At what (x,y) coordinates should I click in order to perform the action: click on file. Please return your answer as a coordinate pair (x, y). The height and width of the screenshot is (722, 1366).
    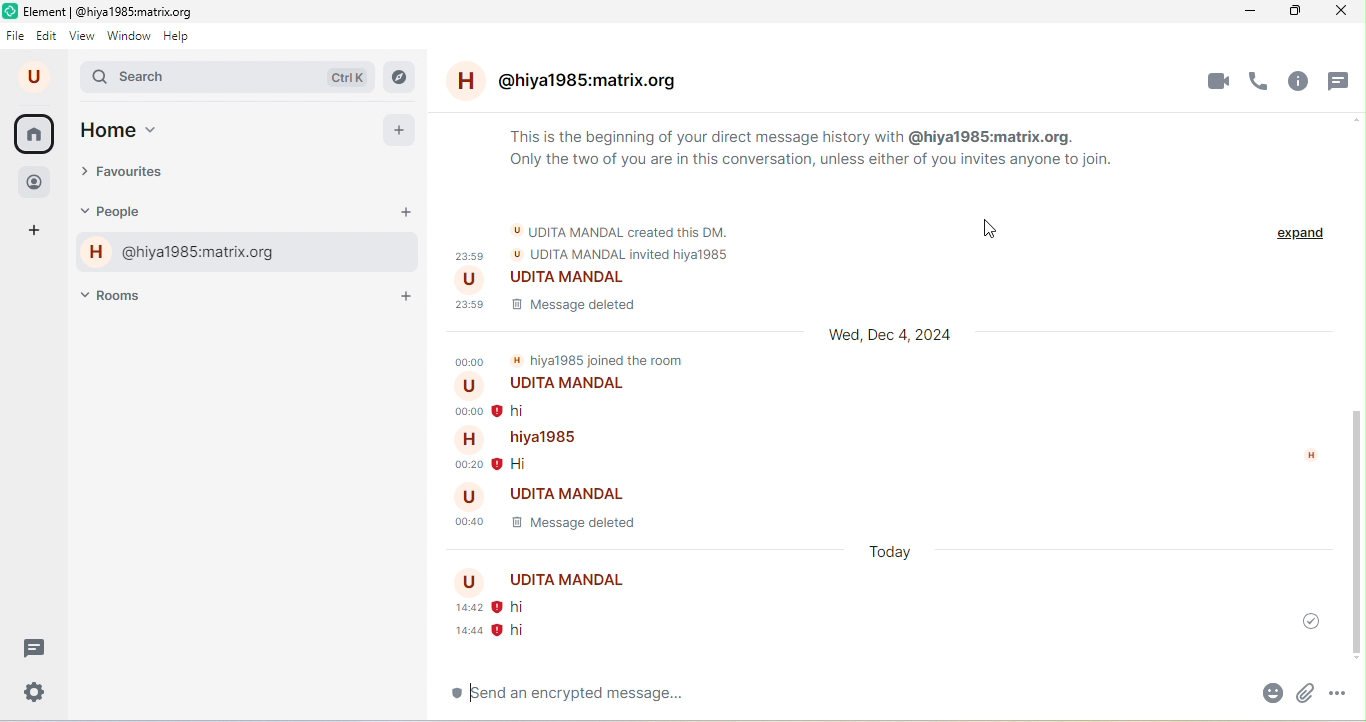
    Looking at the image, I should click on (16, 34).